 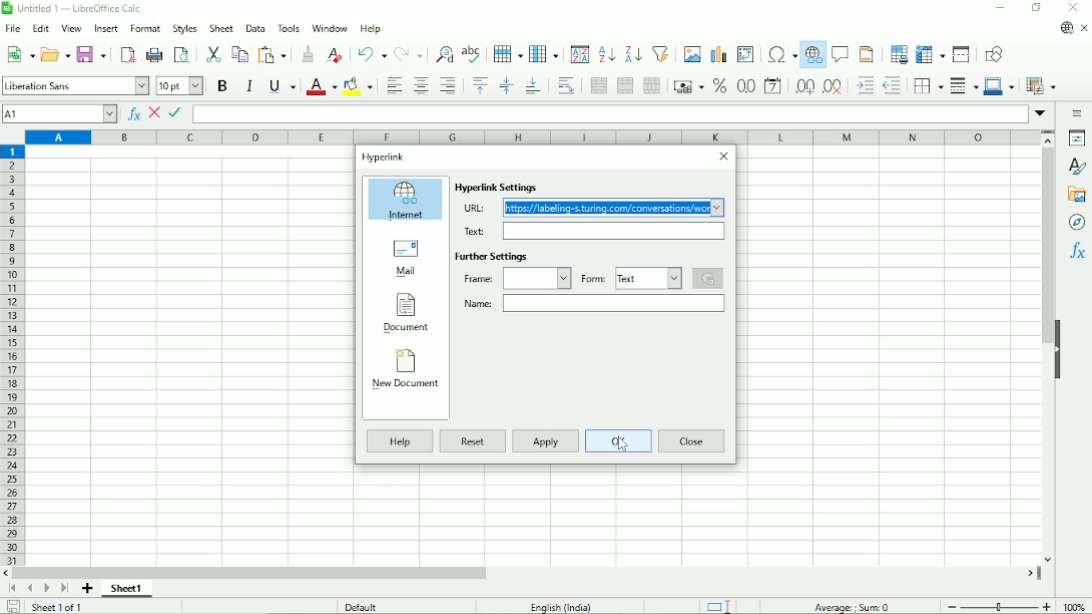 I want to click on Italic, so click(x=249, y=85).